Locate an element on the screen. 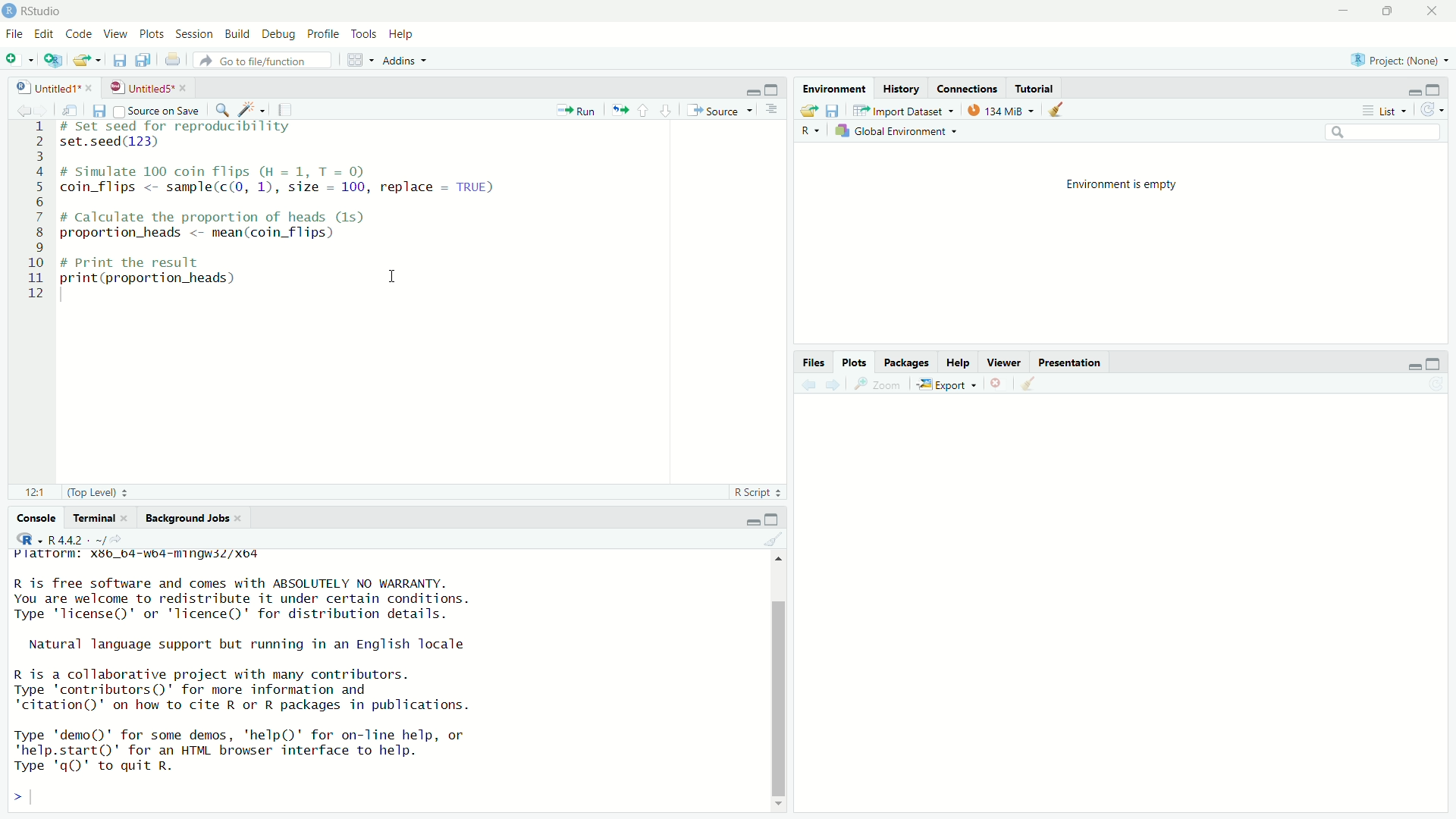 Image resolution: width=1456 pixels, height=819 pixels. session is located at coordinates (193, 33).